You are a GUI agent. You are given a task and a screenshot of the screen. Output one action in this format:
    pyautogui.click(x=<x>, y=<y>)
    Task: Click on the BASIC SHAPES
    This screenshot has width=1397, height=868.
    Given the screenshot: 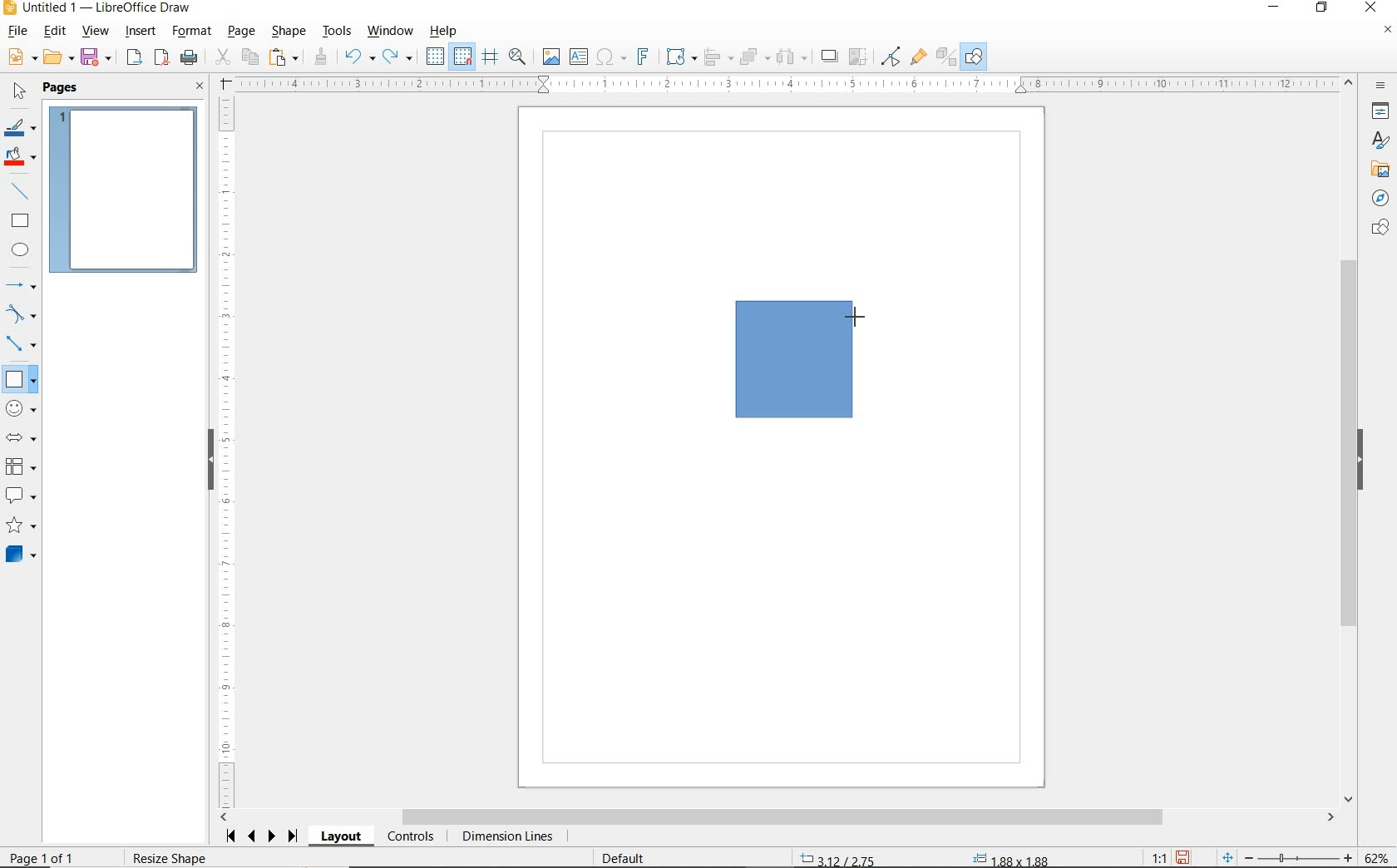 What is the action you would take?
    pyautogui.click(x=19, y=377)
    